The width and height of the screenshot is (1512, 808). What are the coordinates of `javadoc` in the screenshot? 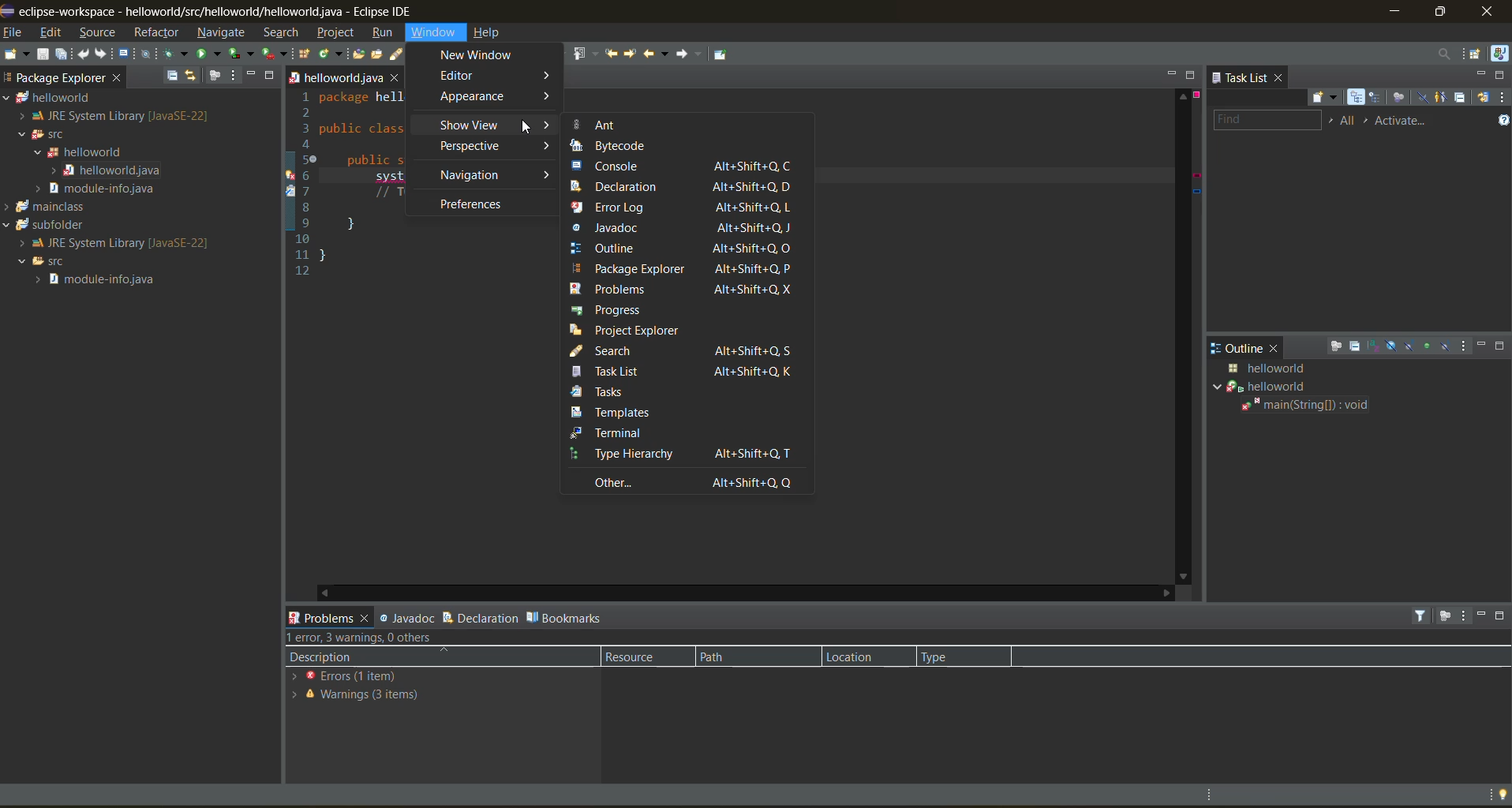 It's located at (407, 617).